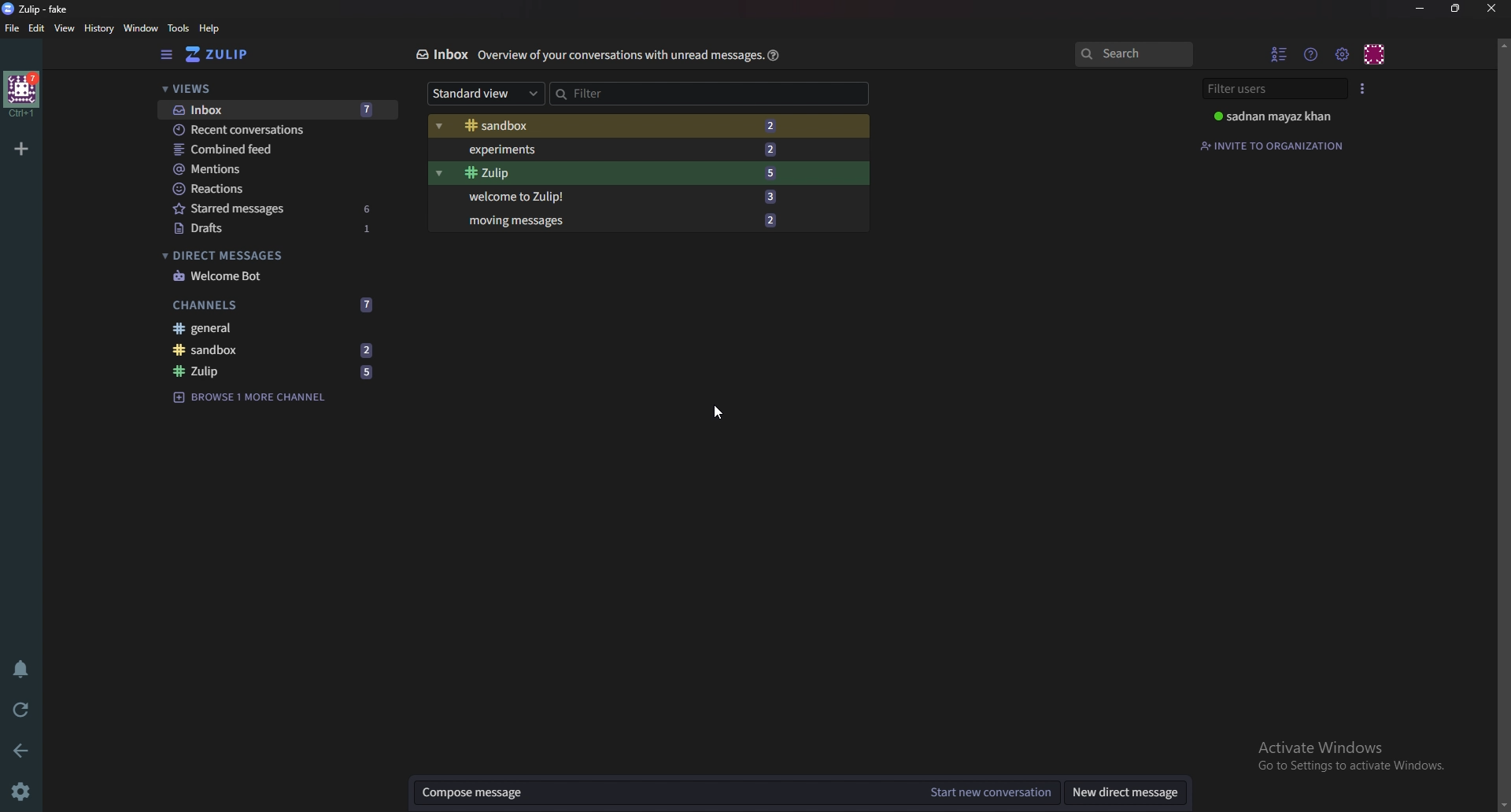 This screenshot has height=812, width=1511. I want to click on Hide user list, so click(1279, 54).